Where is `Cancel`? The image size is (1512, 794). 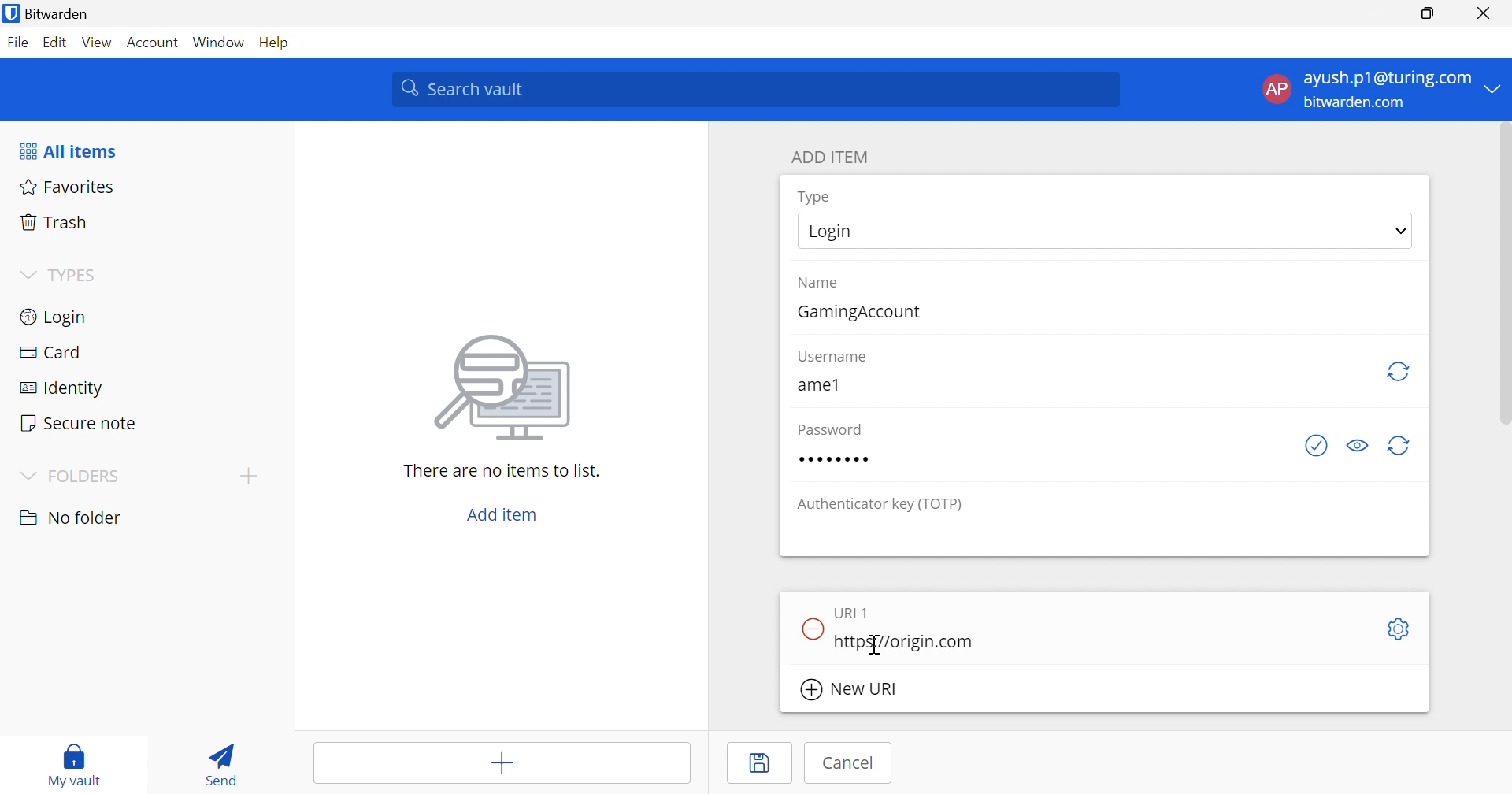 Cancel is located at coordinates (845, 765).